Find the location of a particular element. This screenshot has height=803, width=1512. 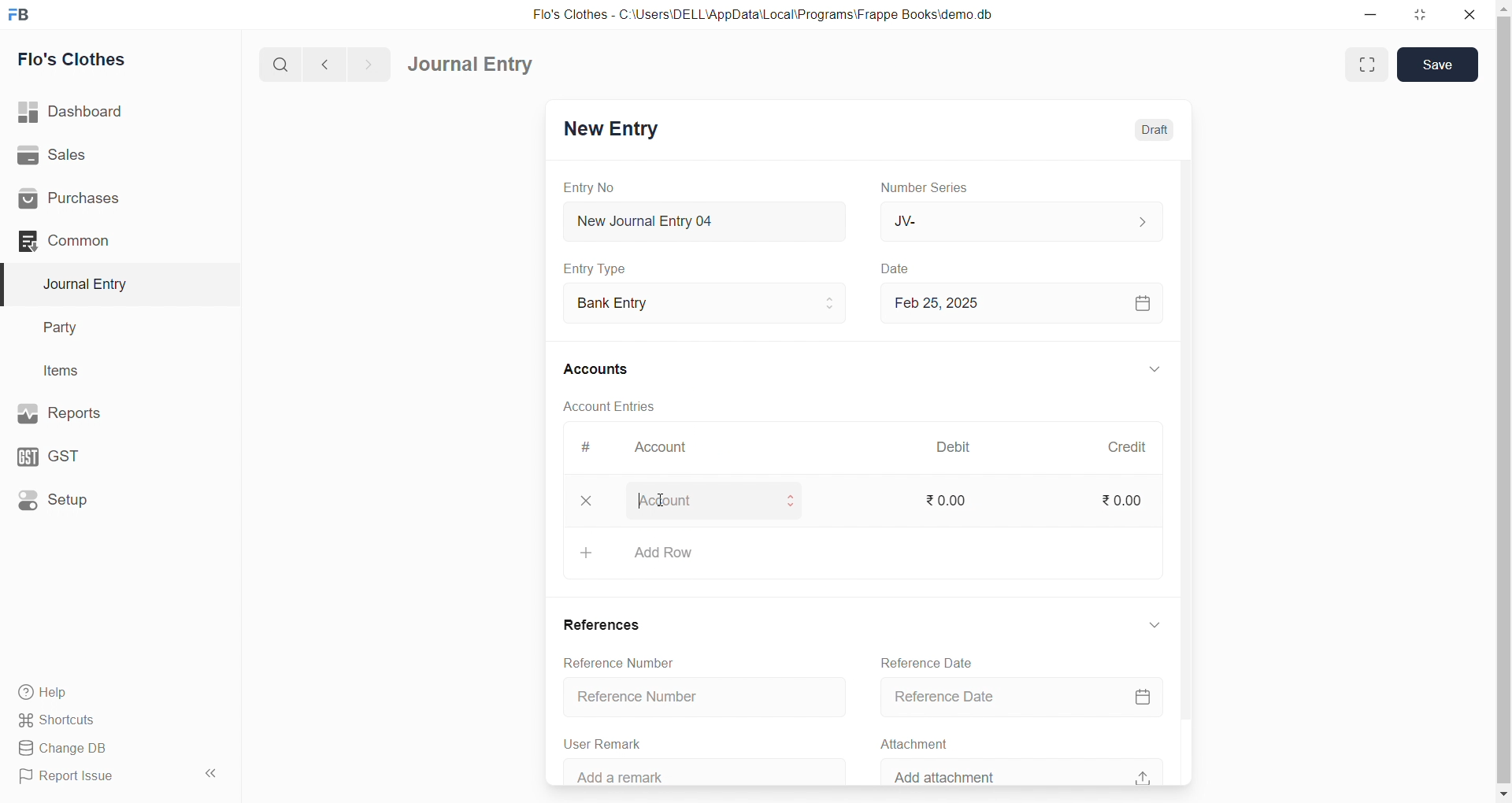

Expand Window is located at coordinates (1365, 65).